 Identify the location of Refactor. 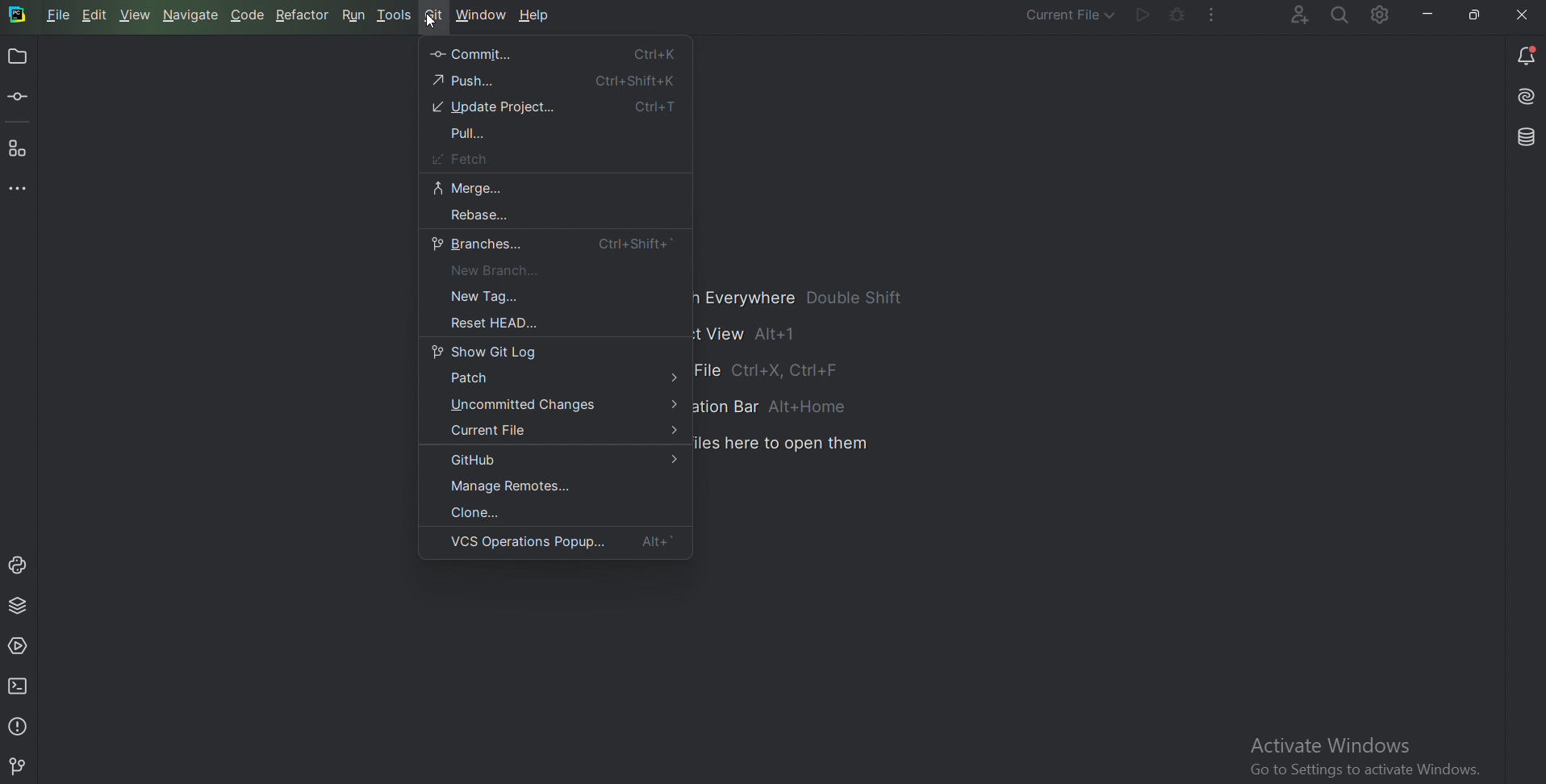
(303, 15).